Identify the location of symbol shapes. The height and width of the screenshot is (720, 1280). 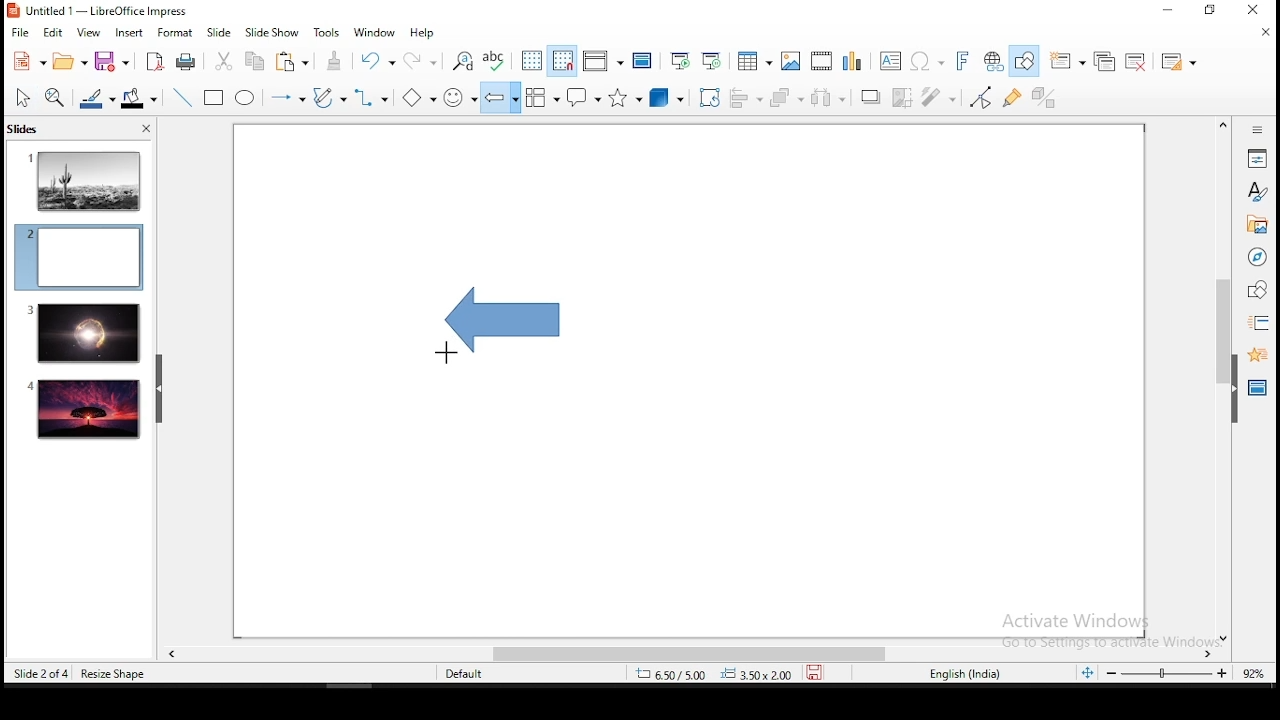
(460, 98).